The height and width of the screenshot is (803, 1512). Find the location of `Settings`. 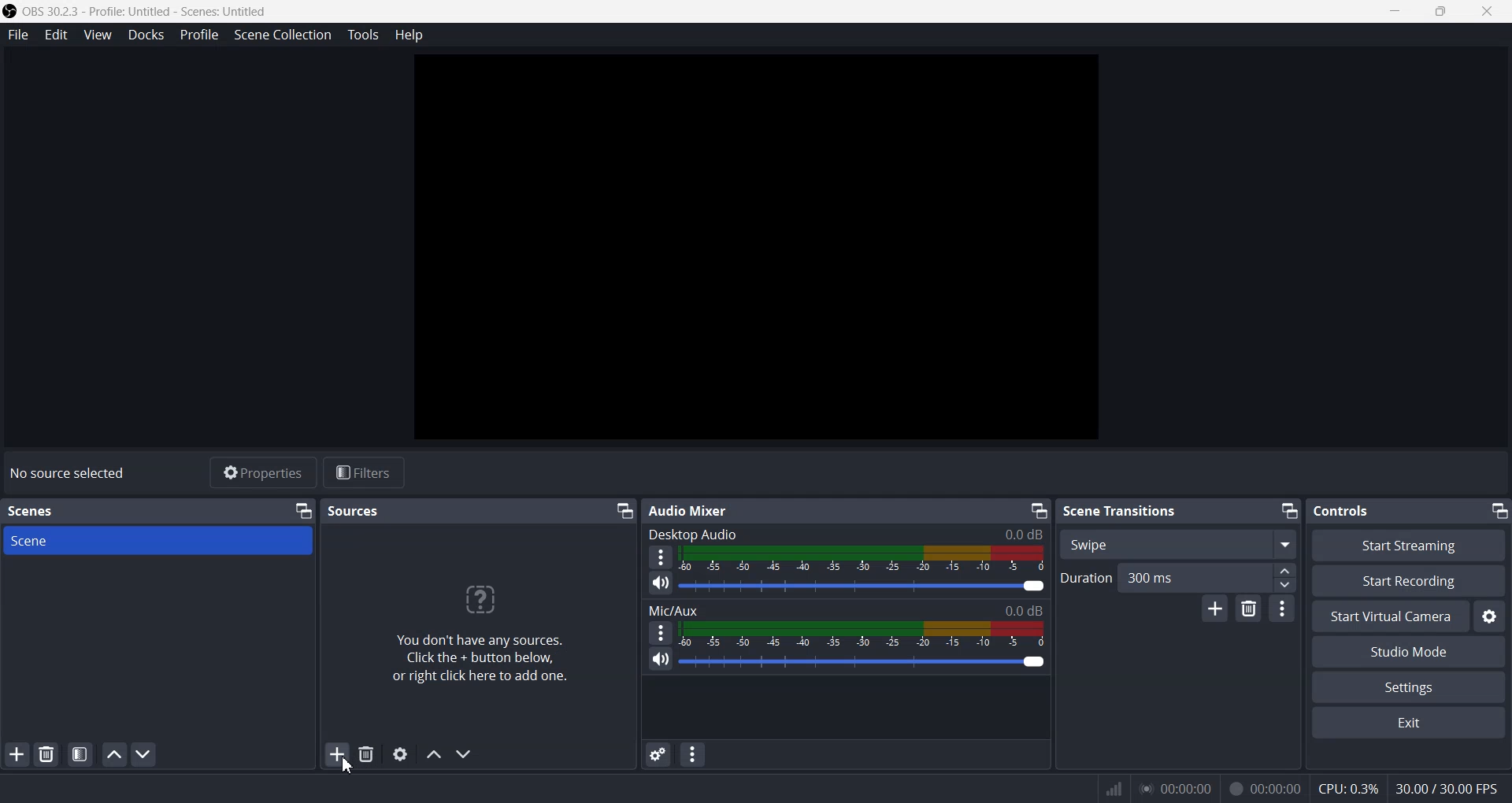

Settings is located at coordinates (1488, 616).